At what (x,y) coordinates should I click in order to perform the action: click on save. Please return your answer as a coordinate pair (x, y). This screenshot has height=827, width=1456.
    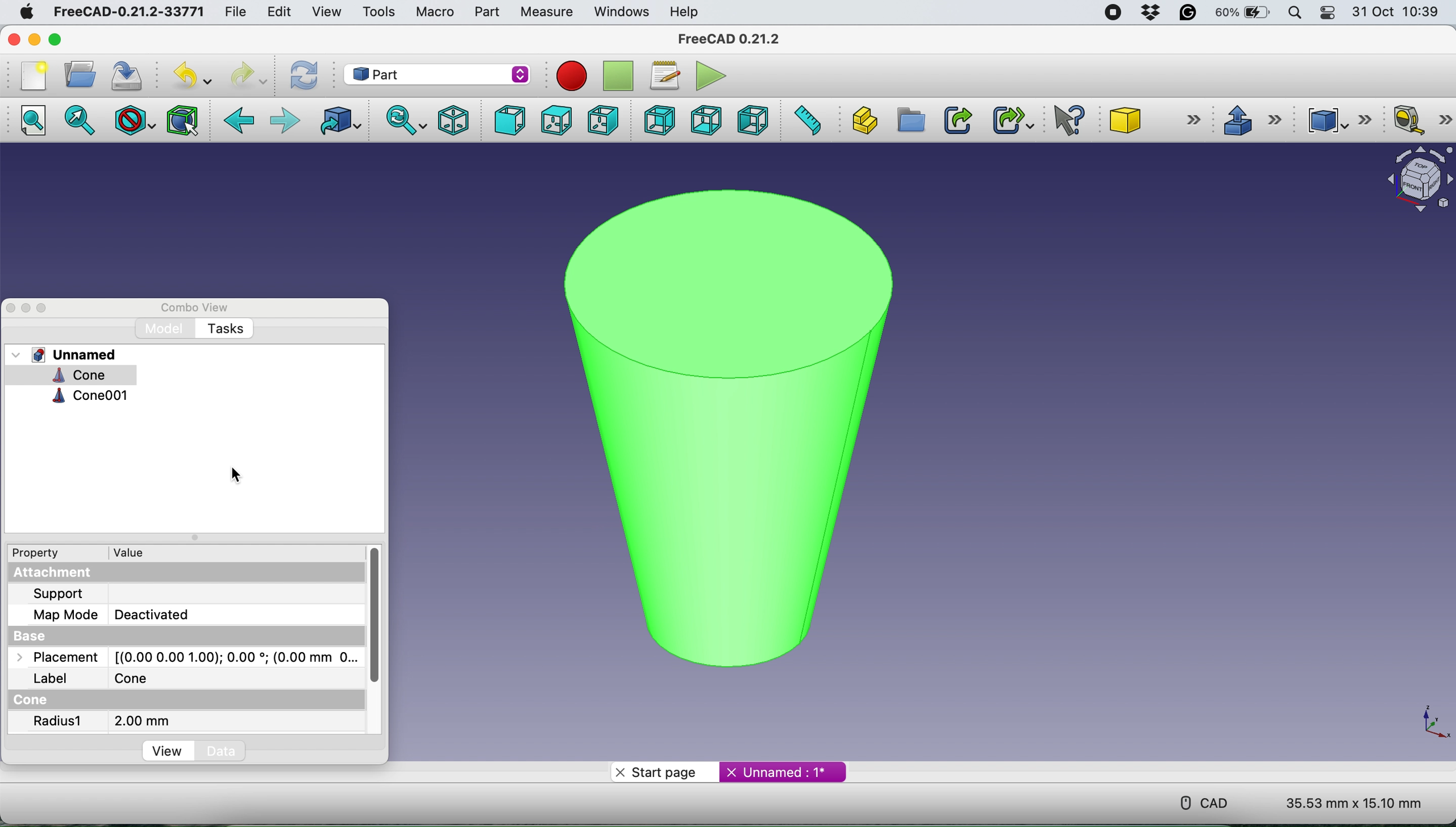
    Looking at the image, I should click on (127, 75).